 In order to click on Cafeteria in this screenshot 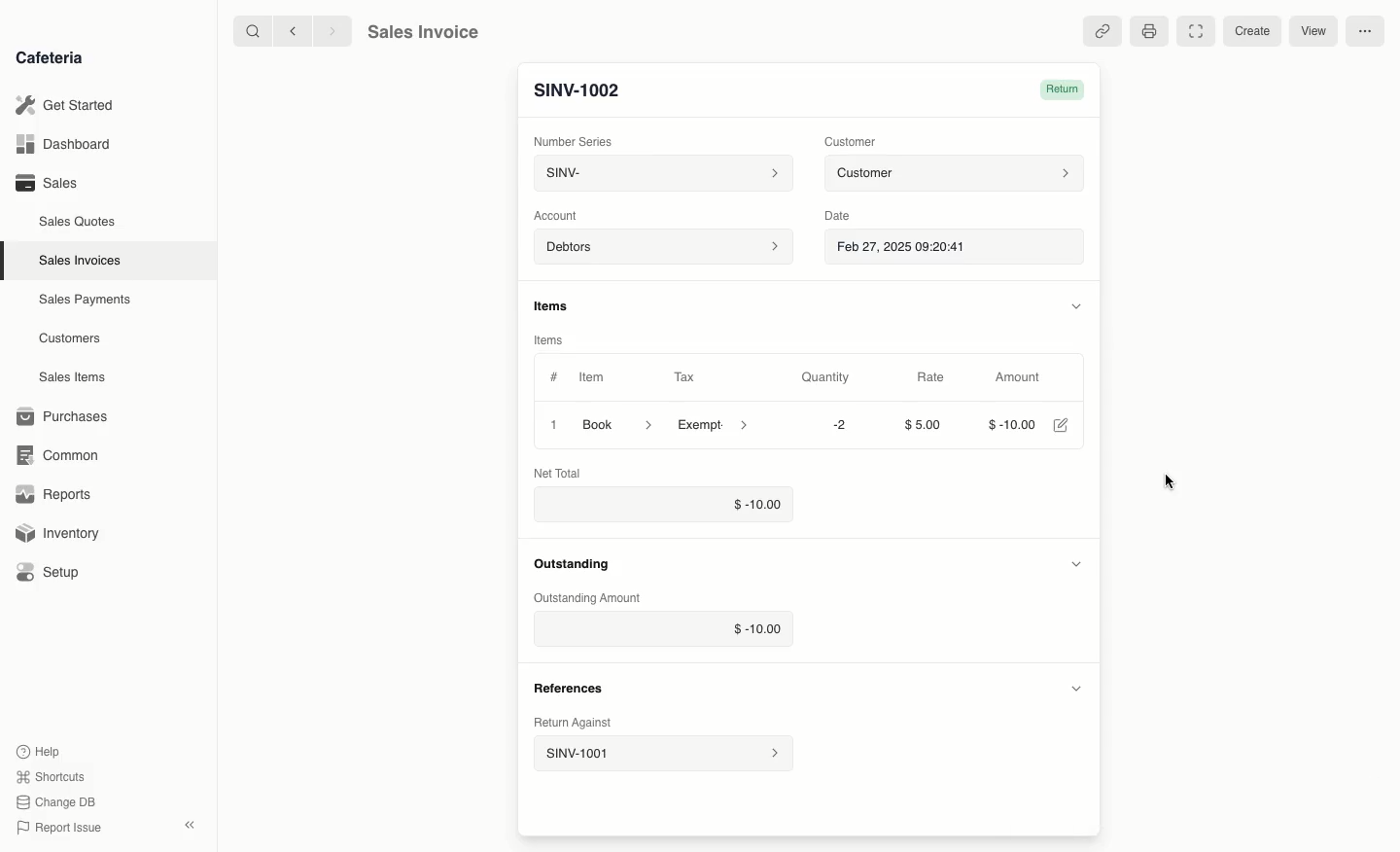, I will do `click(49, 58)`.